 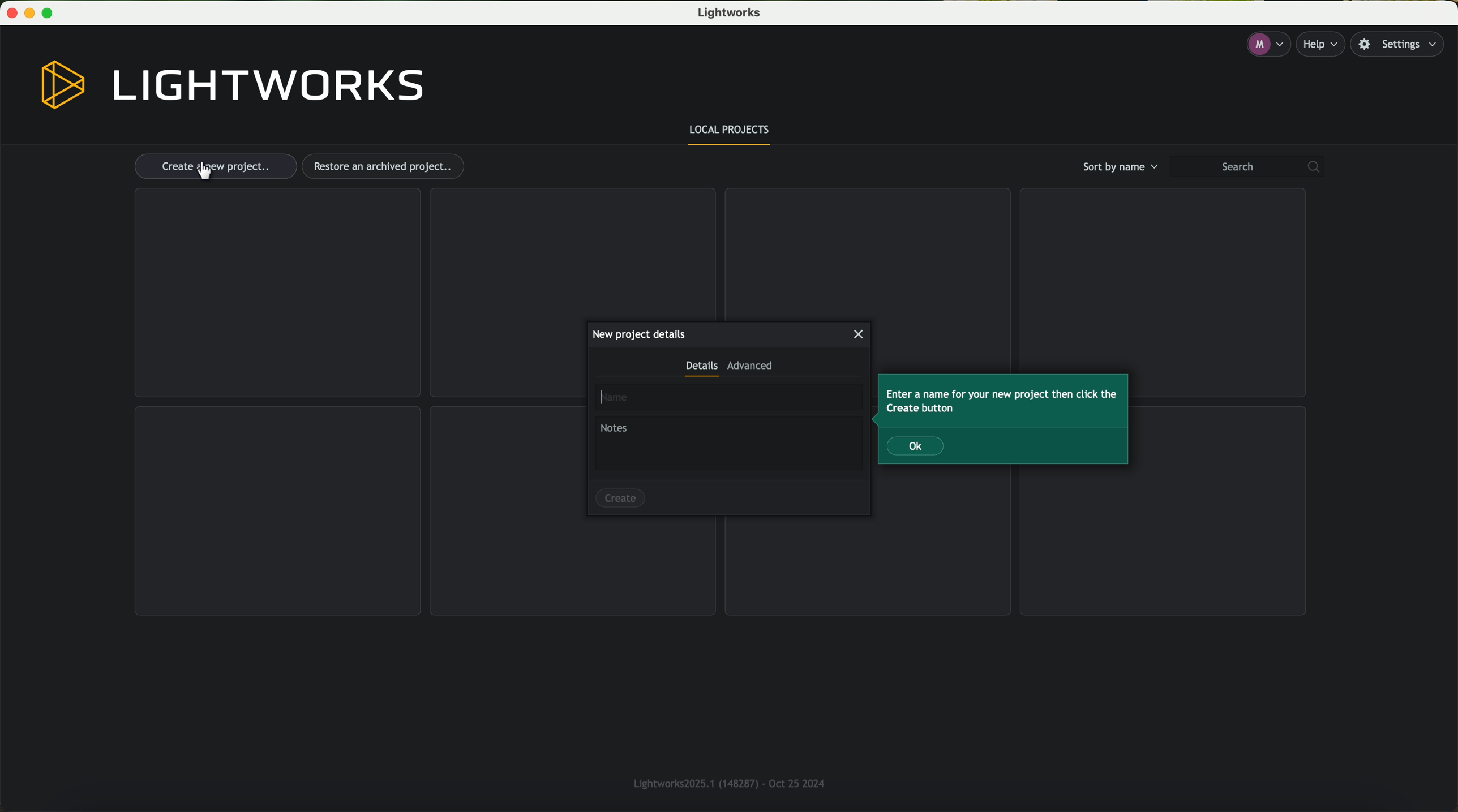 What do you see at coordinates (750, 368) in the screenshot?
I see `advanced` at bounding box center [750, 368].